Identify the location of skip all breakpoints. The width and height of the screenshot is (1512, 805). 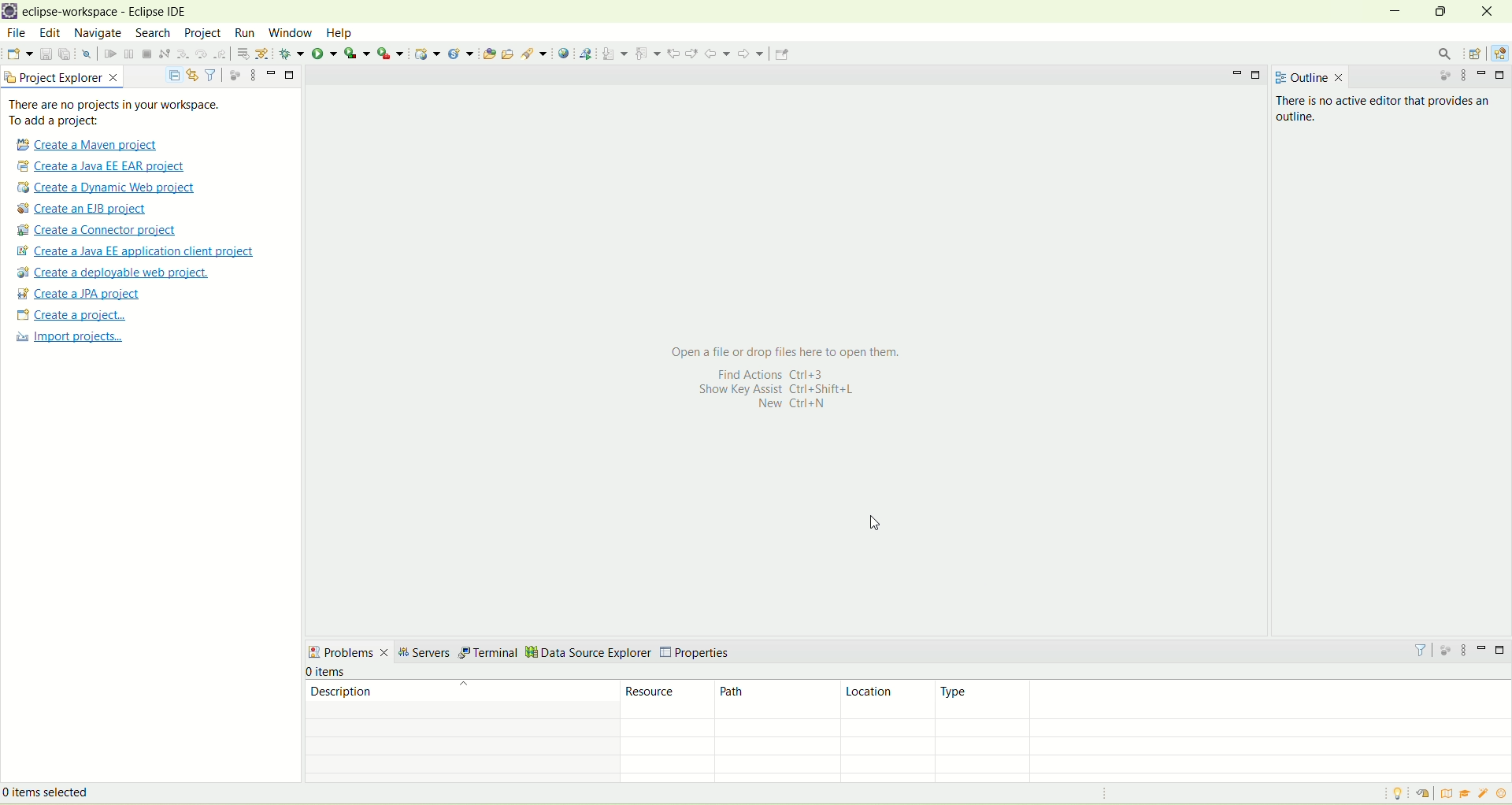
(148, 55).